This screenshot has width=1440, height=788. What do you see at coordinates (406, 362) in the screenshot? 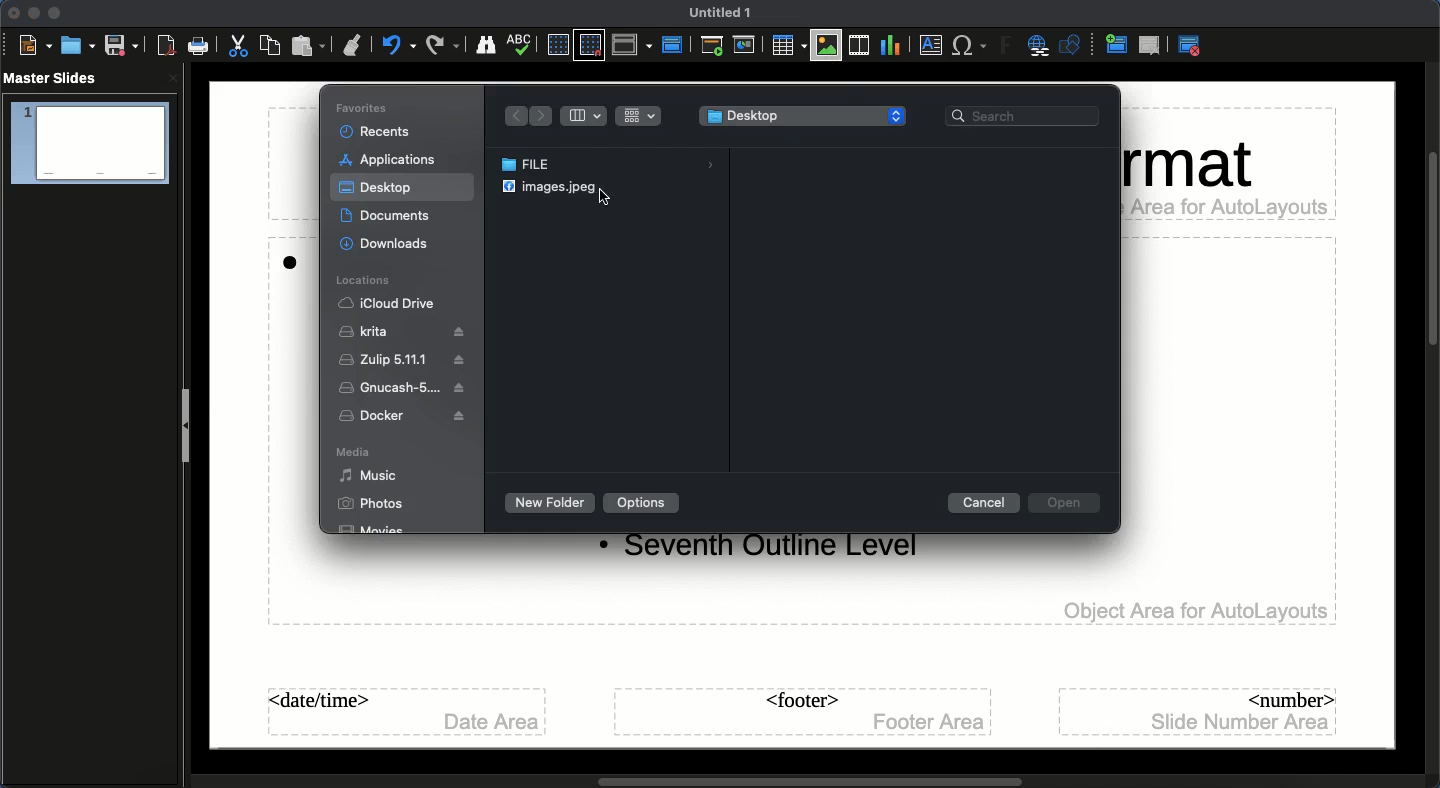
I see `Zulip` at bounding box center [406, 362].